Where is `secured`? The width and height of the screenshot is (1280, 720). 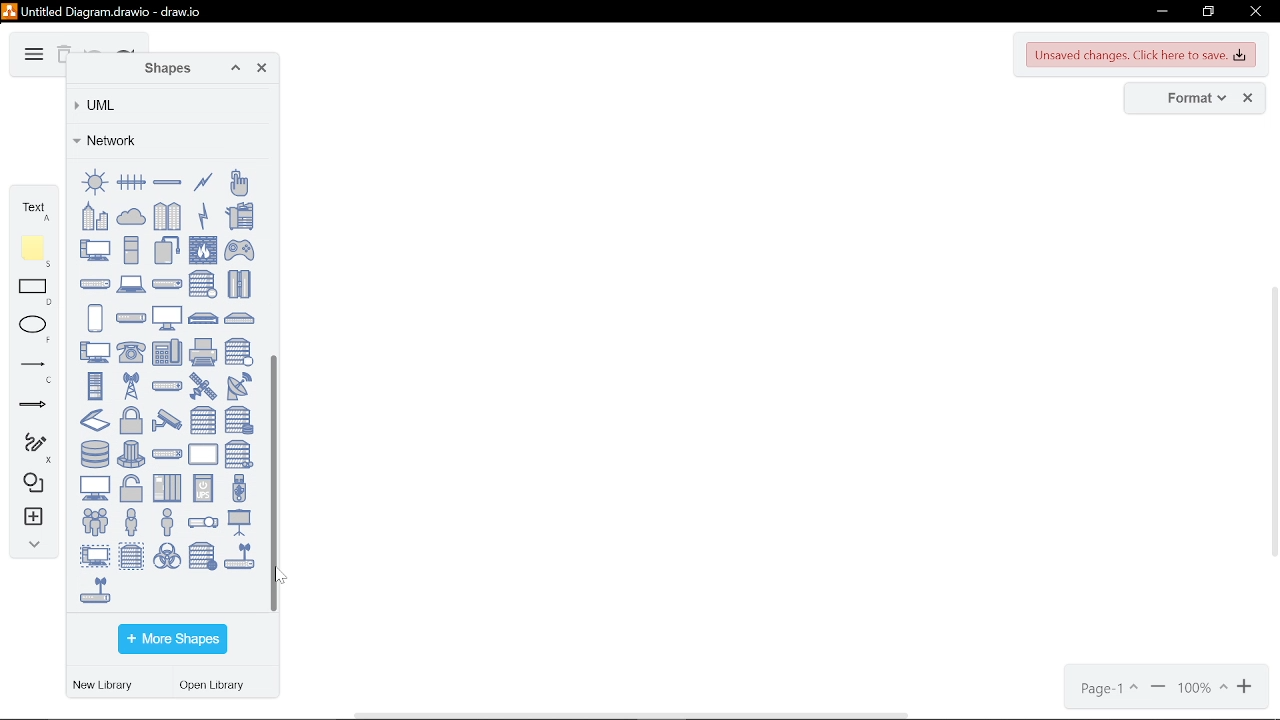
secured is located at coordinates (131, 421).